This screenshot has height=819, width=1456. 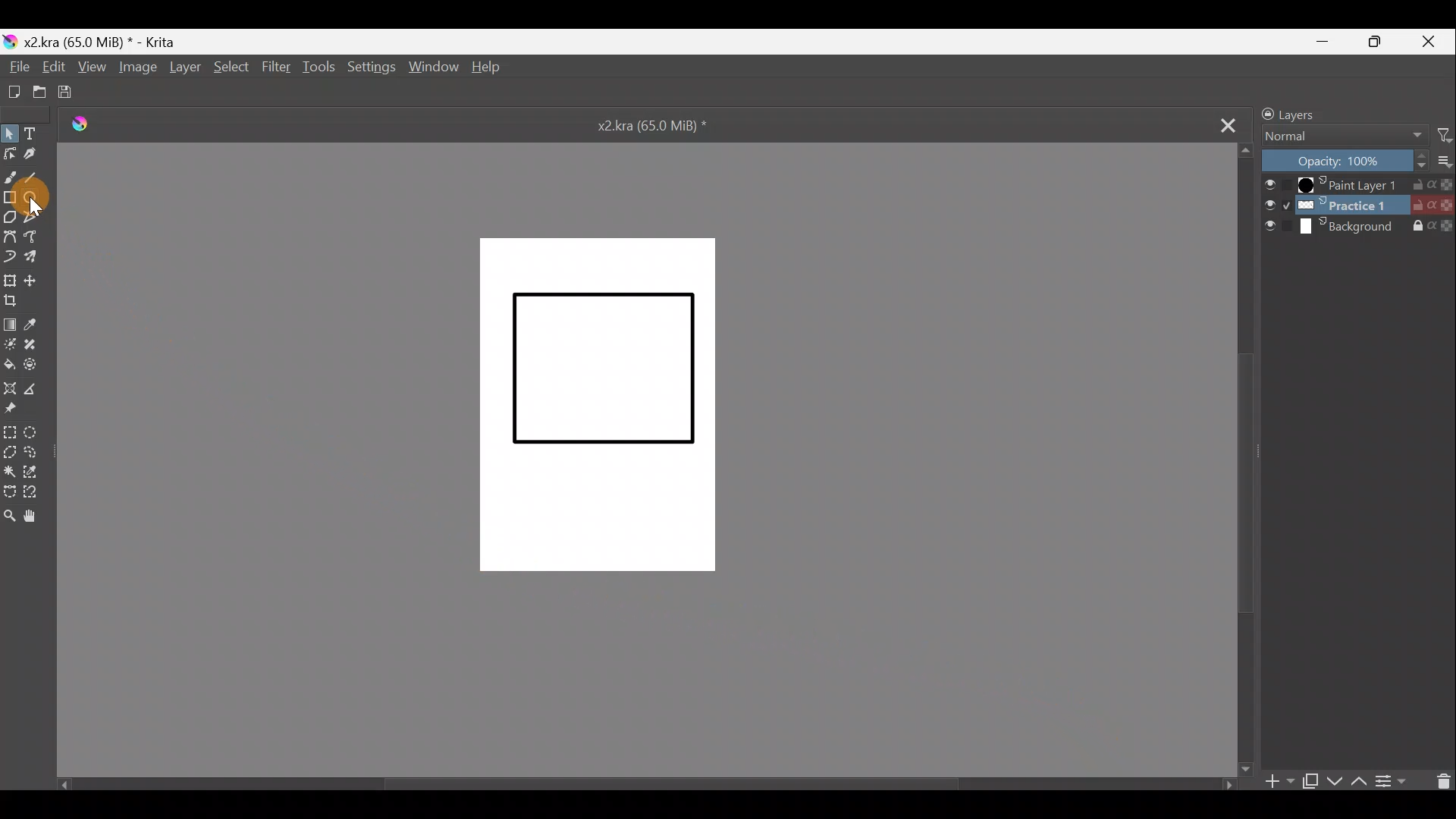 What do you see at coordinates (10, 431) in the screenshot?
I see `Rectangular selection tool` at bounding box center [10, 431].